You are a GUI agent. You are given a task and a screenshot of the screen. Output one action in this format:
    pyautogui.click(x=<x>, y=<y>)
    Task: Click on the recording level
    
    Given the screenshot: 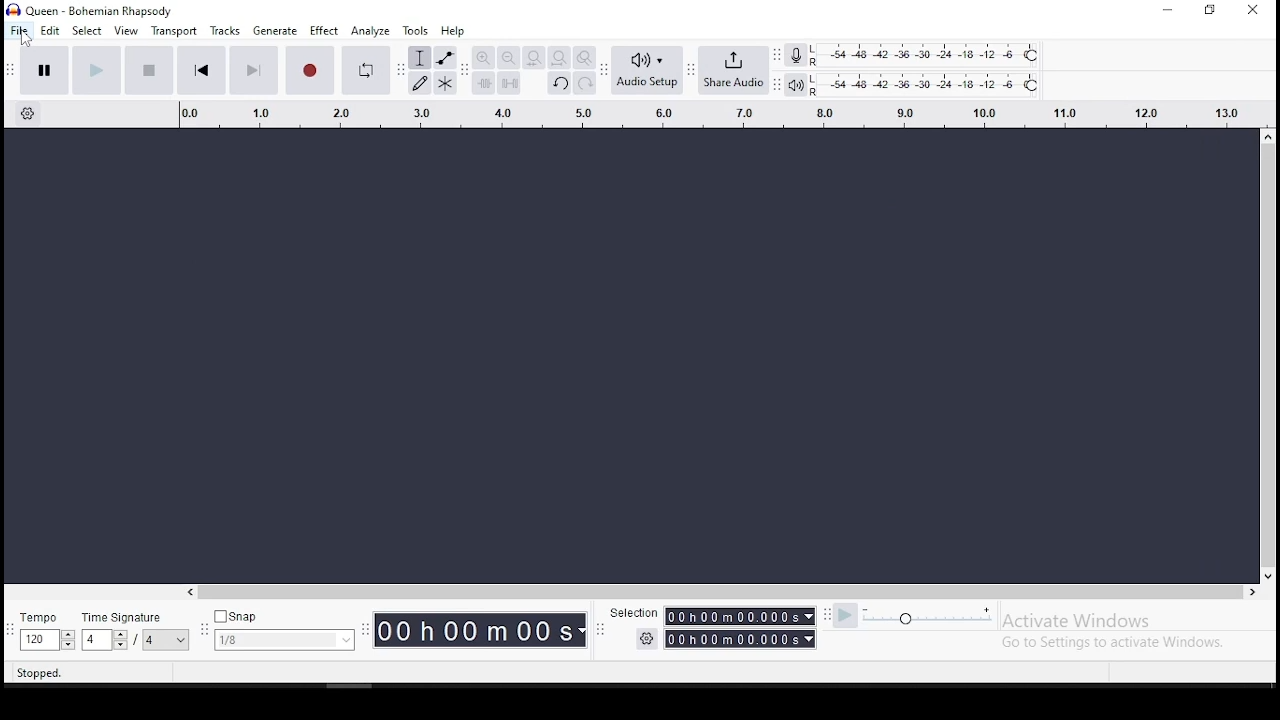 What is the action you would take?
    pyautogui.click(x=796, y=54)
    